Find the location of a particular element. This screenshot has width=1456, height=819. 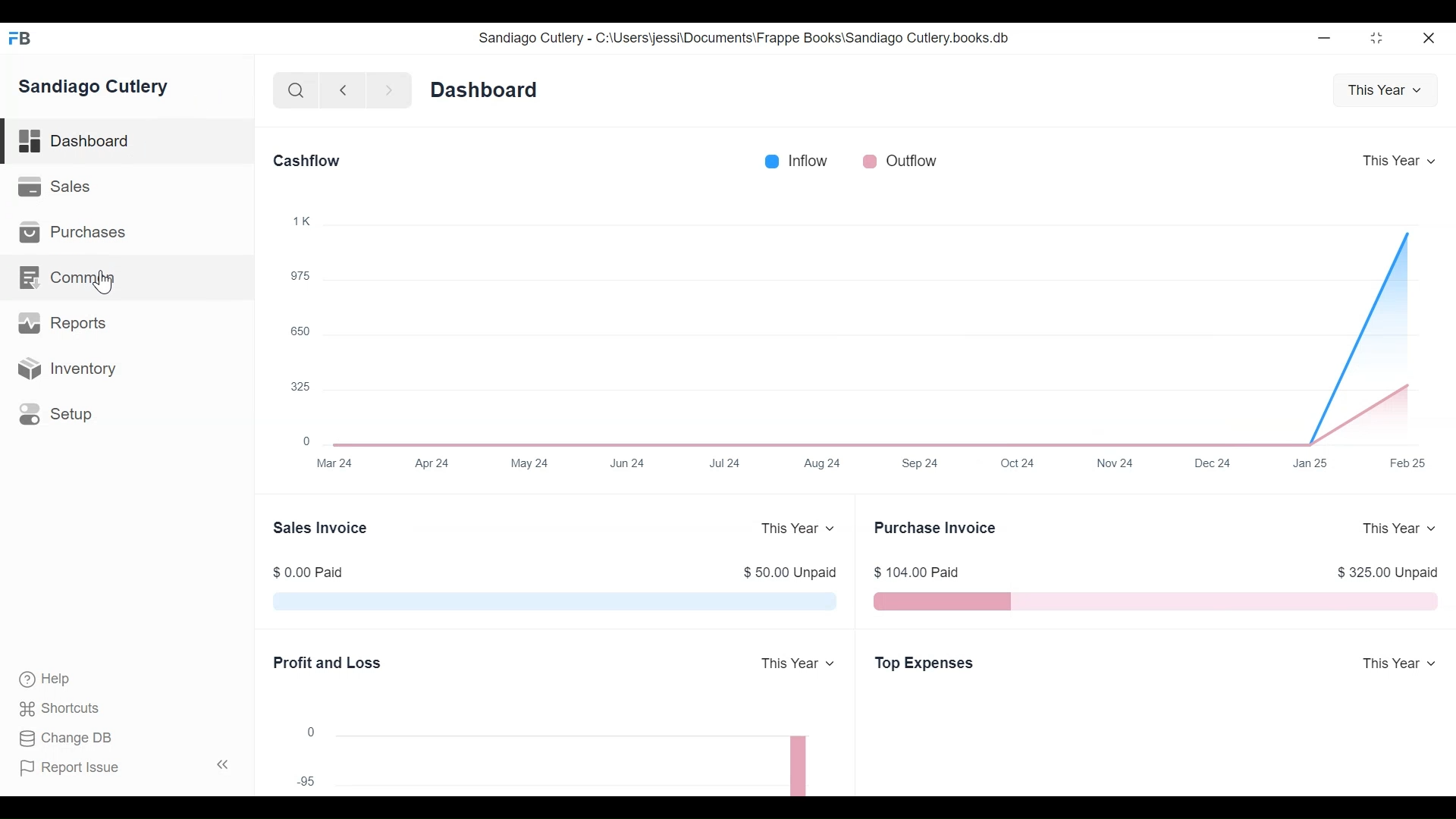

Purchase Invoice is located at coordinates (935, 527).